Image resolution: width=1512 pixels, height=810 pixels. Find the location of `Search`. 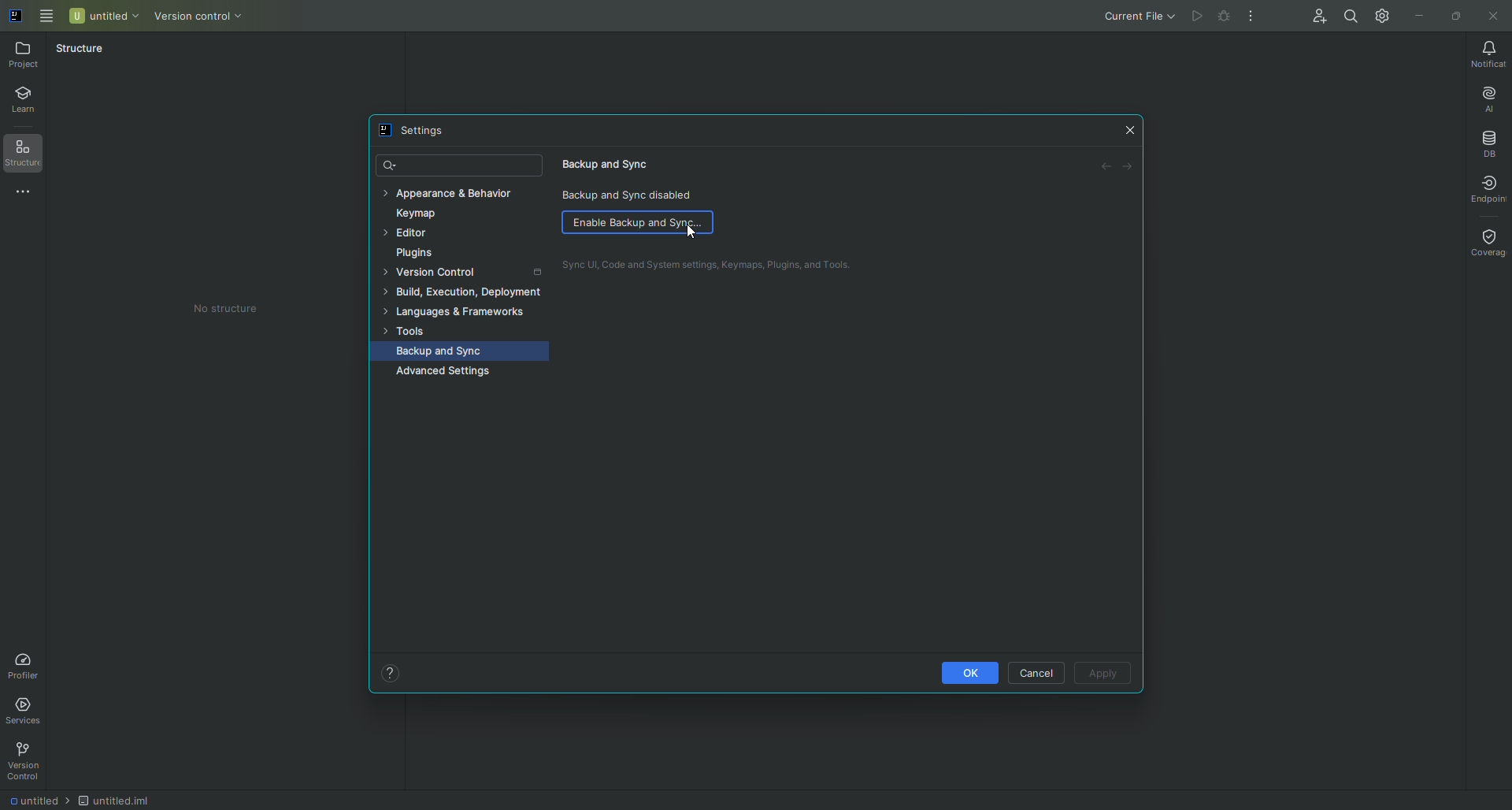

Search is located at coordinates (391, 165).